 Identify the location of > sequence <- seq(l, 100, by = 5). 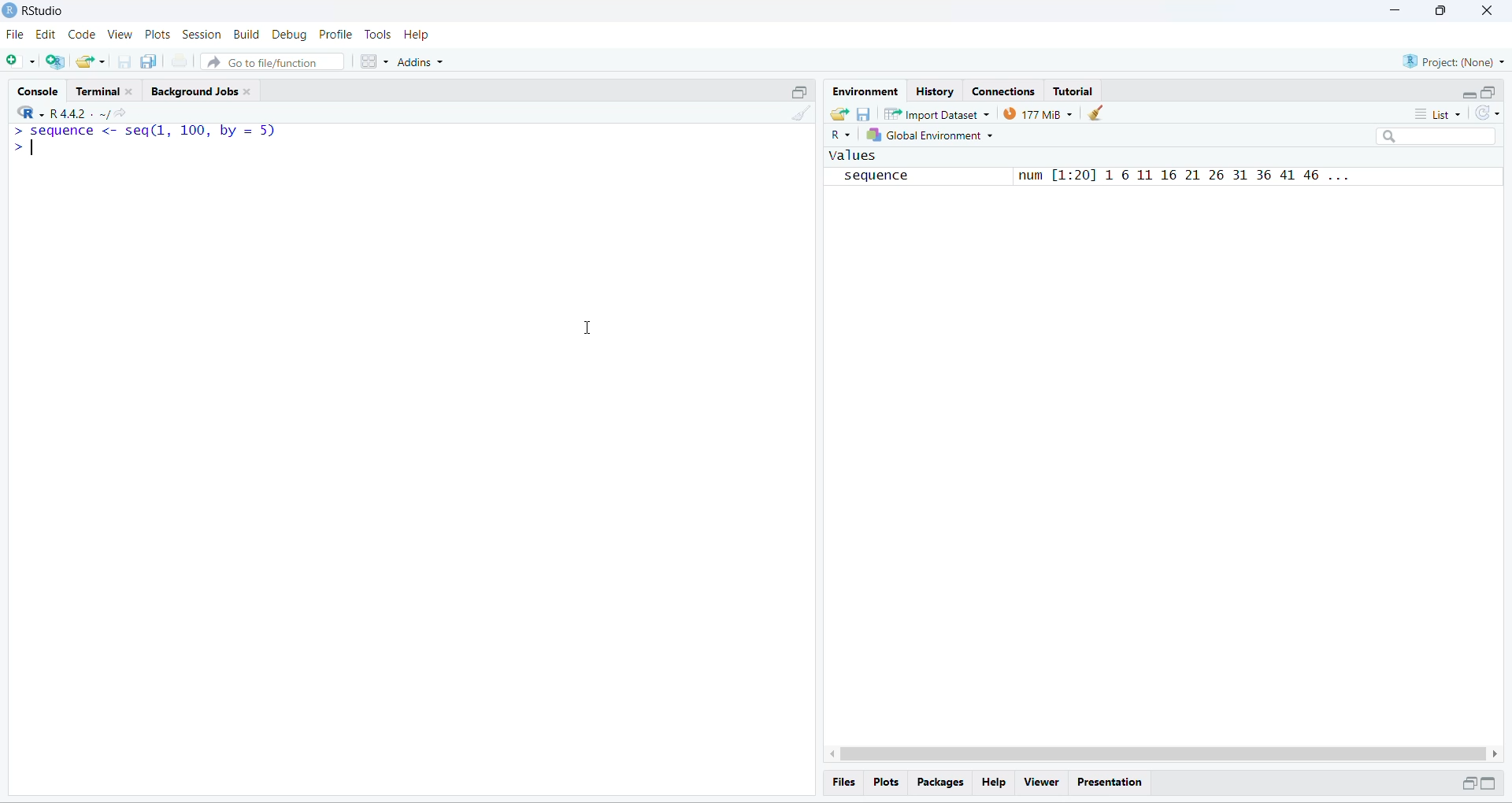
(145, 131).